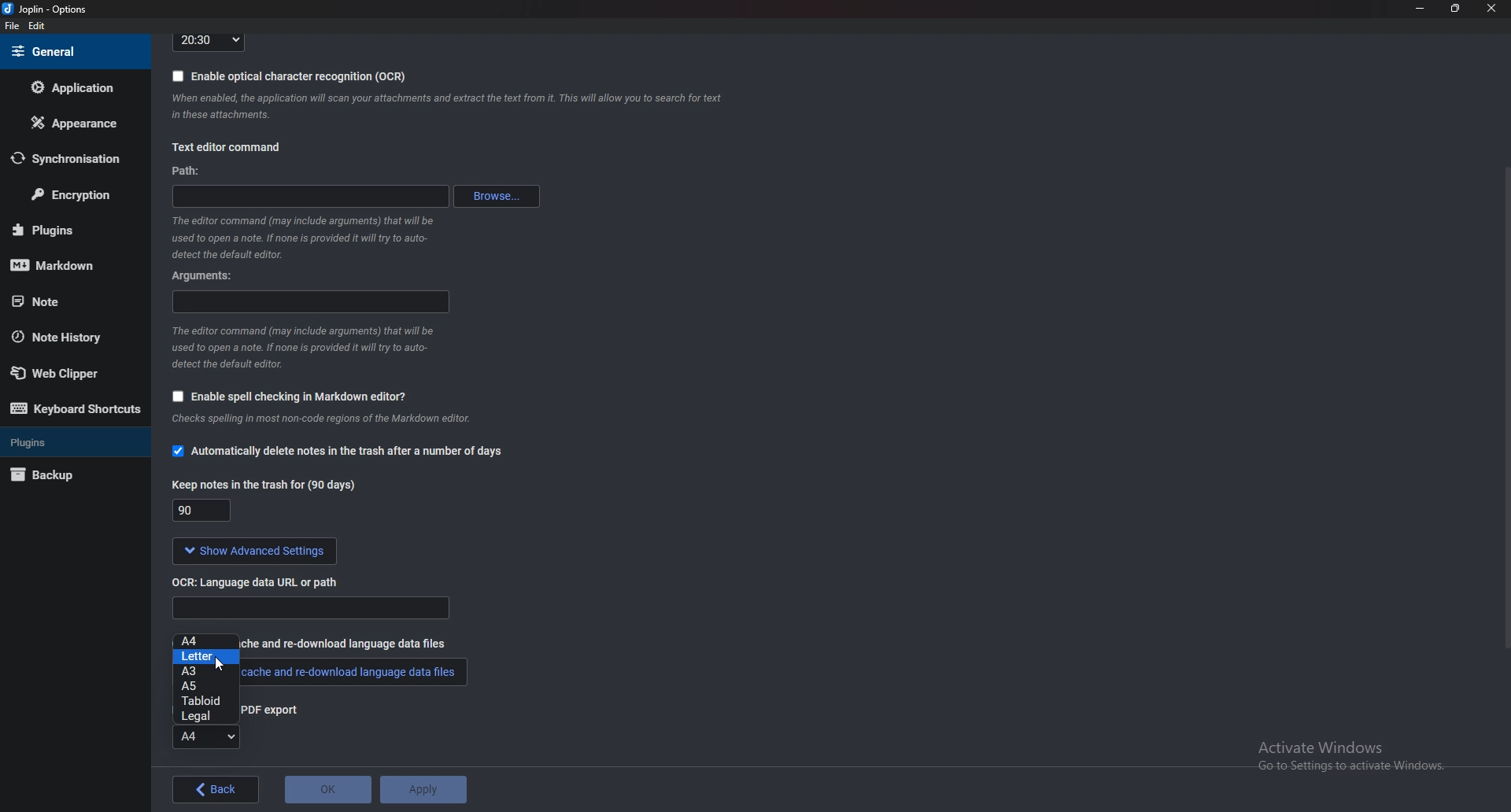 This screenshot has width=1511, height=812. Describe the element at coordinates (226, 149) in the screenshot. I see `text editor command` at that location.